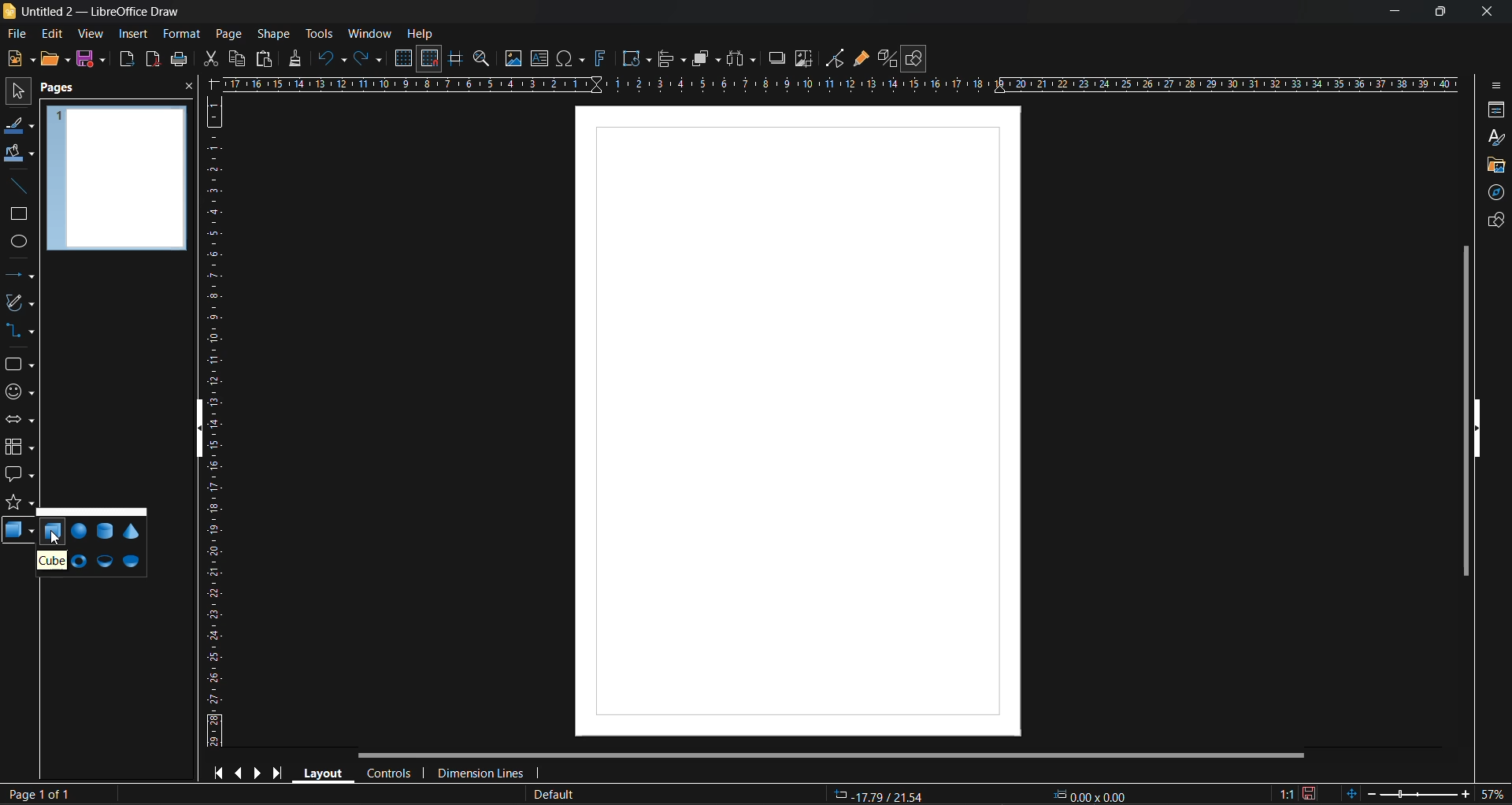  Describe the element at coordinates (94, 60) in the screenshot. I see `save` at that location.